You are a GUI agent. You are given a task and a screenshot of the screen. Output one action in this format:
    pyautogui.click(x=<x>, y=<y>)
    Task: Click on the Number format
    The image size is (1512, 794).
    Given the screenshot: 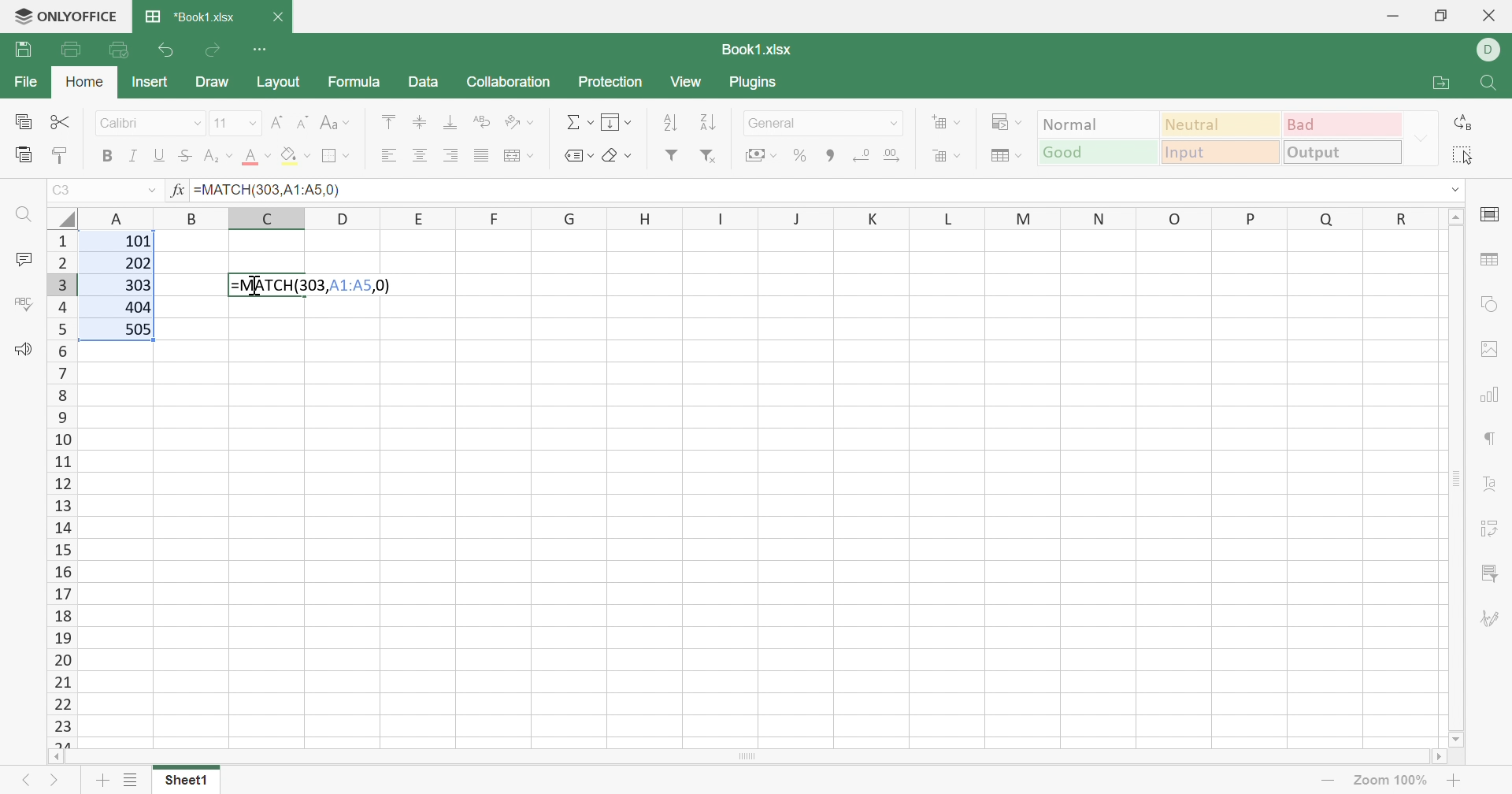 What is the action you would take?
    pyautogui.click(x=790, y=123)
    